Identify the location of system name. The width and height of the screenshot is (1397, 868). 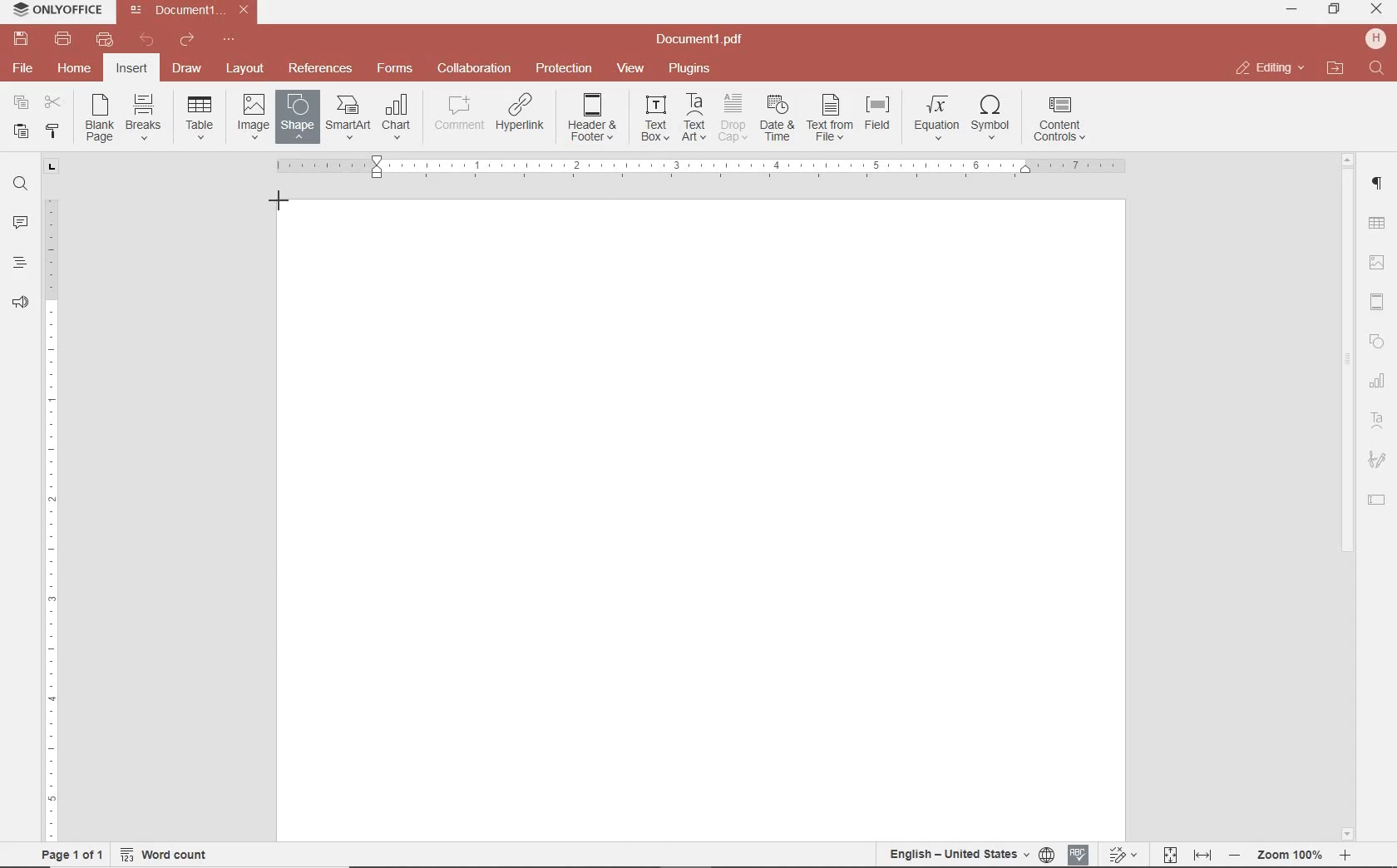
(53, 11).